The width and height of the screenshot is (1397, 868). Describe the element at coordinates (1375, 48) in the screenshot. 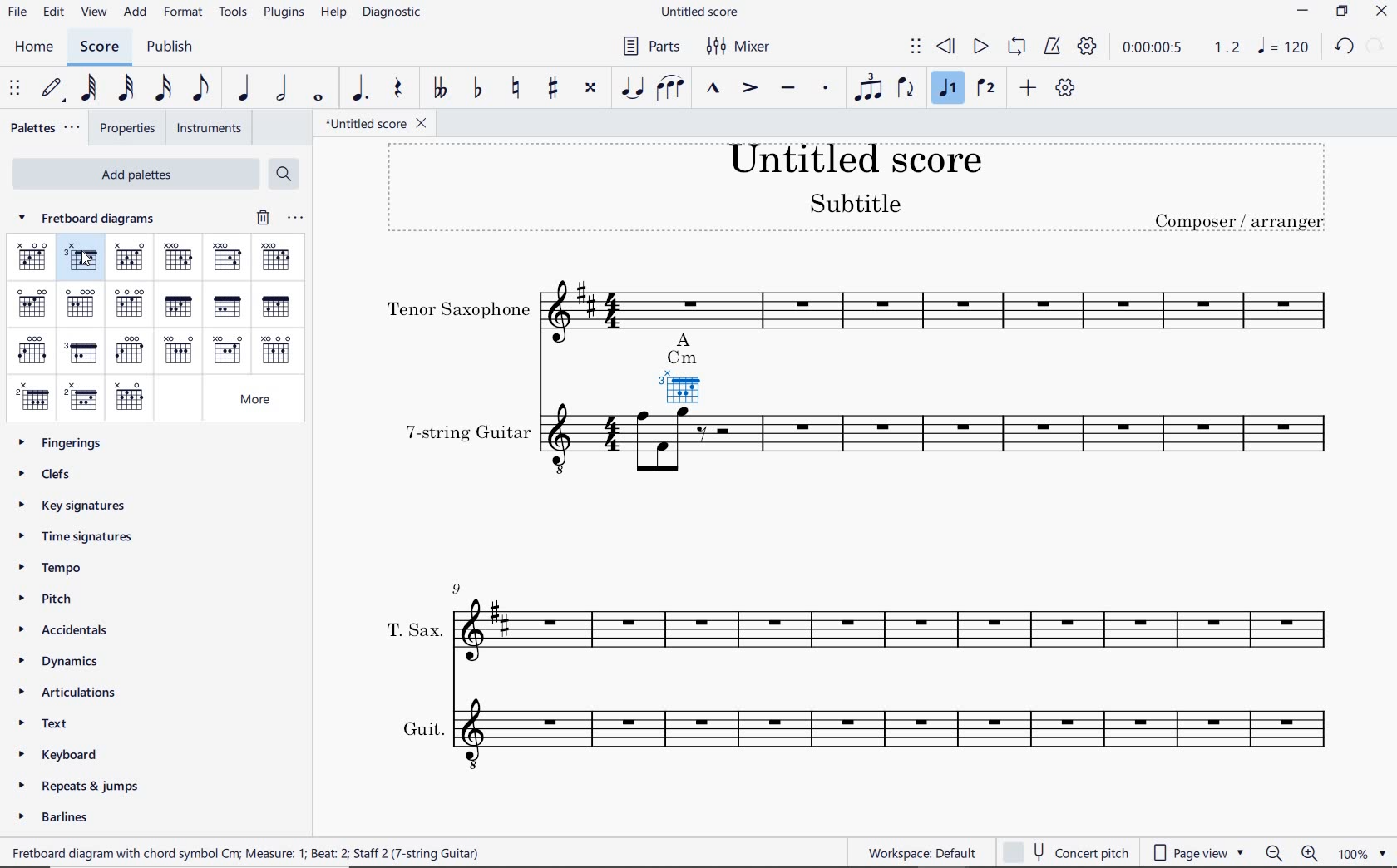

I see `REDO` at that location.